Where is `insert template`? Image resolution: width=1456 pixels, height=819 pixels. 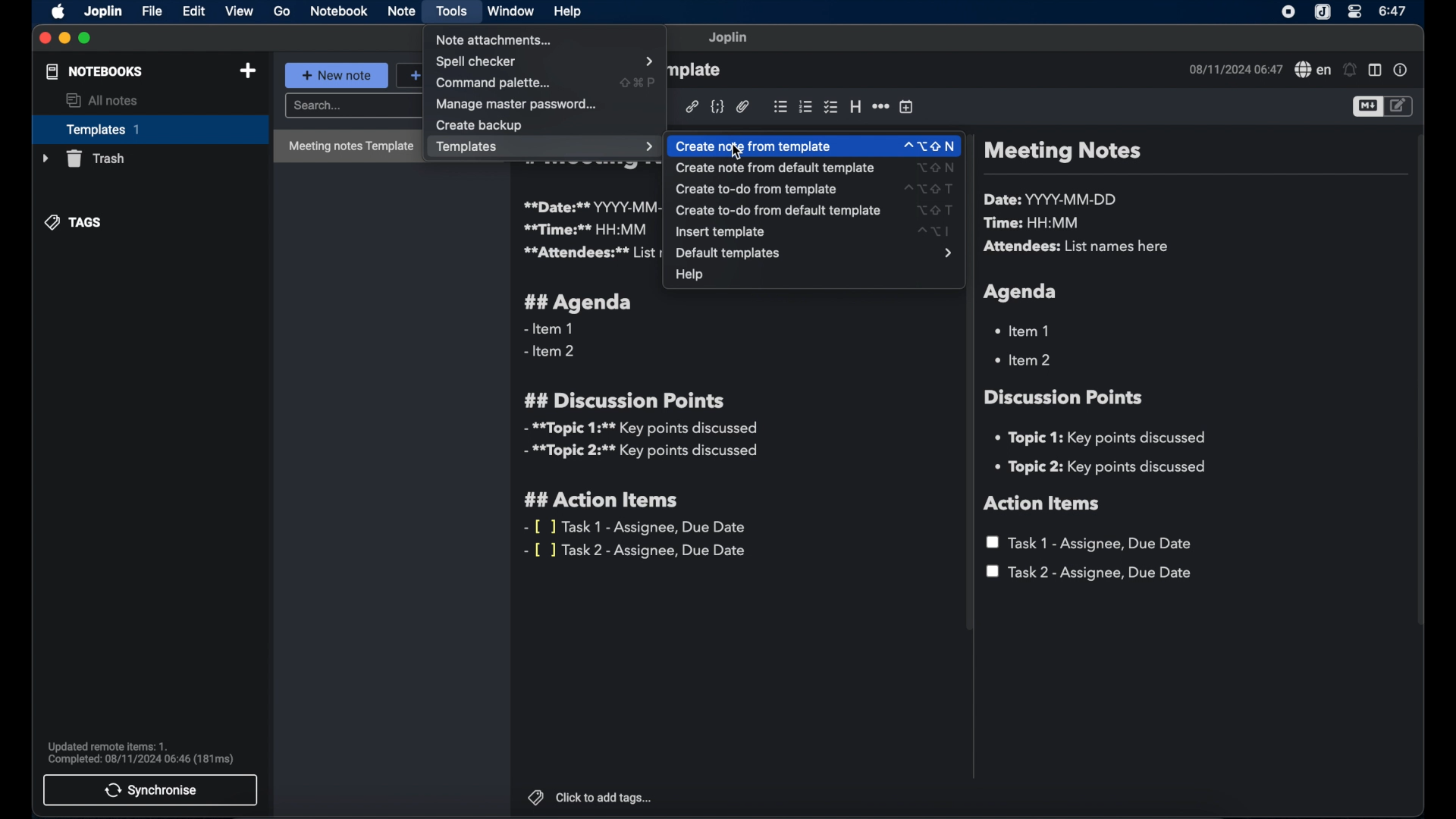
insert template is located at coordinates (812, 232).